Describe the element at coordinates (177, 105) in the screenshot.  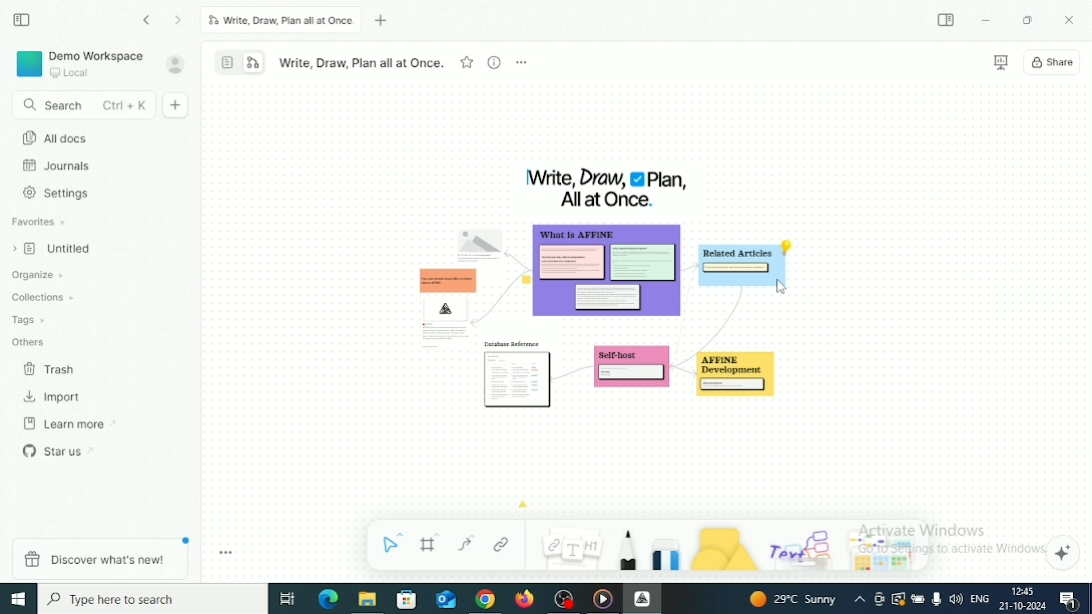
I see `New doc` at that location.